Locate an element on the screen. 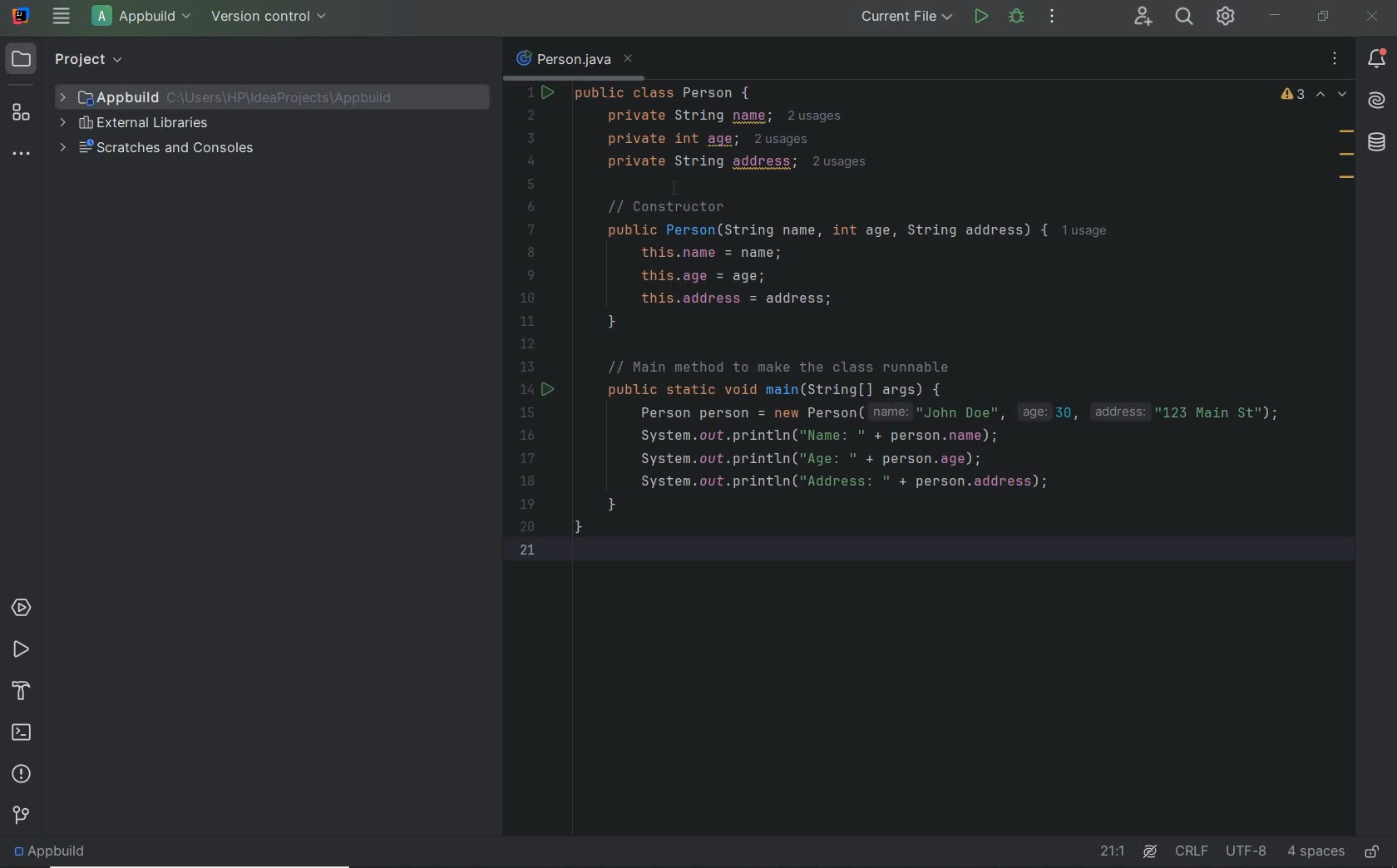 Image resolution: width=1397 pixels, height=868 pixels. project file name is located at coordinates (57, 853).